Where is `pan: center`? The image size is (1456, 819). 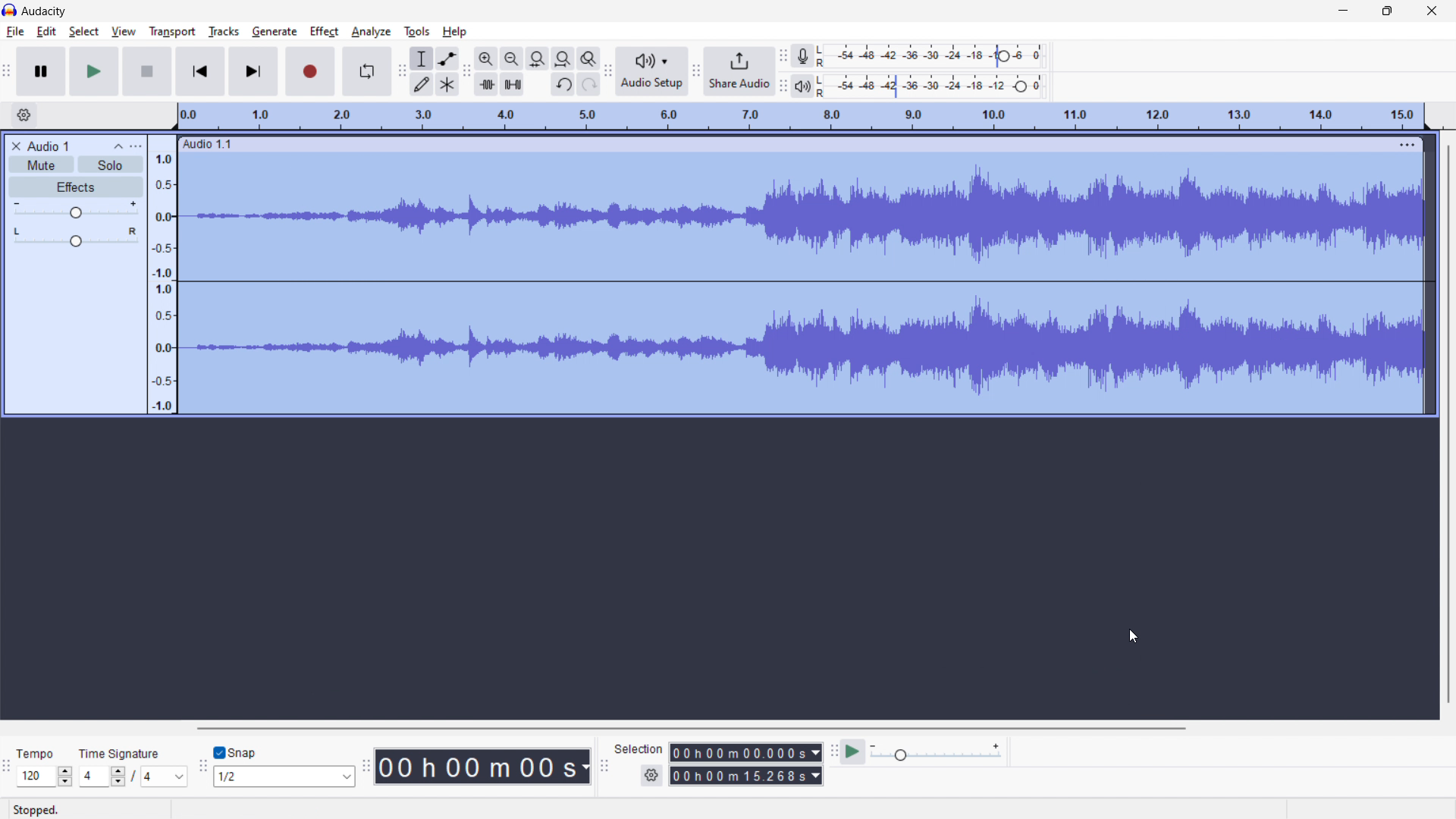 pan: center is located at coordinates (76, 237).